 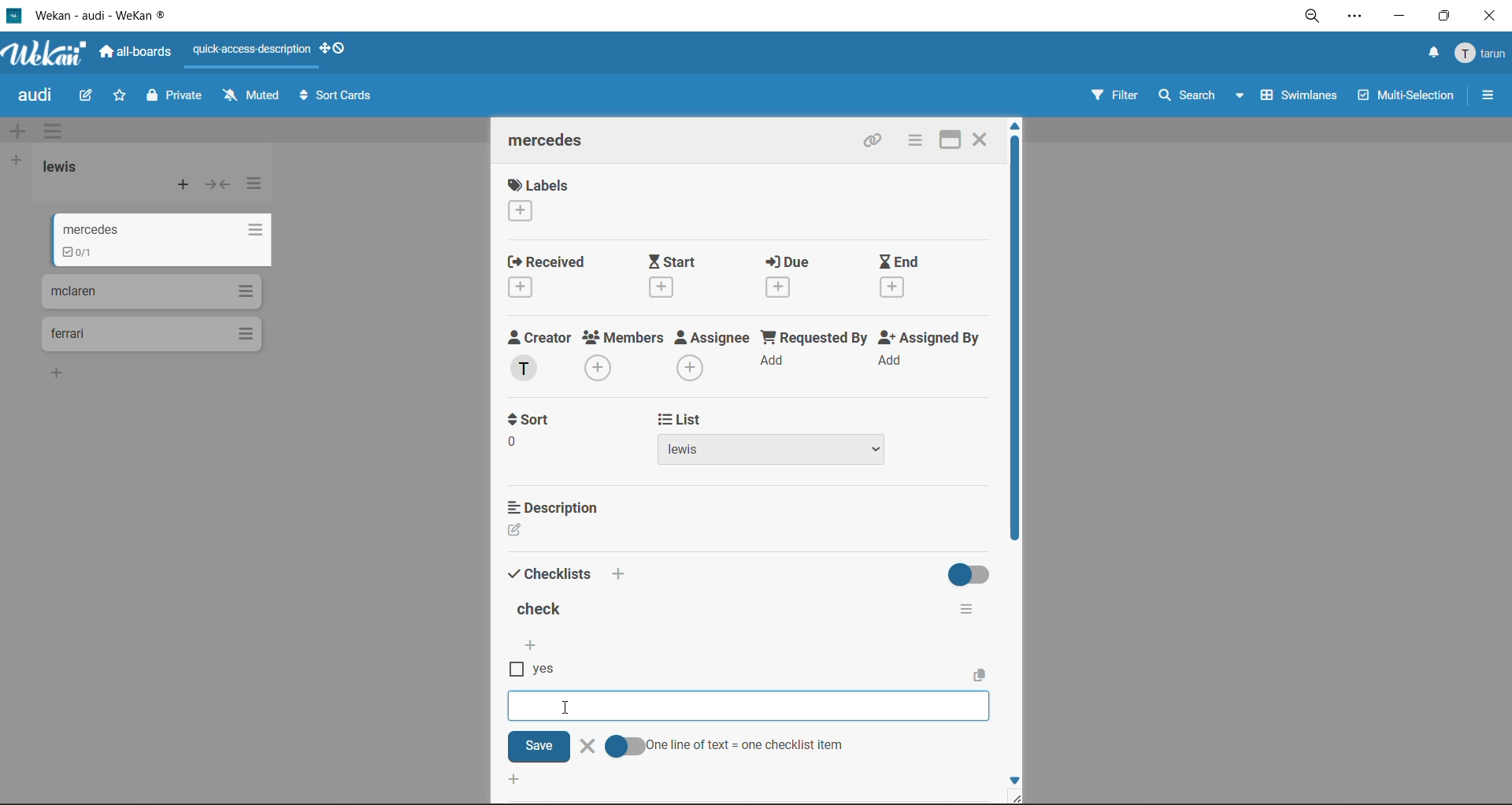 I want to click on close, so click(x=1488, y=17).